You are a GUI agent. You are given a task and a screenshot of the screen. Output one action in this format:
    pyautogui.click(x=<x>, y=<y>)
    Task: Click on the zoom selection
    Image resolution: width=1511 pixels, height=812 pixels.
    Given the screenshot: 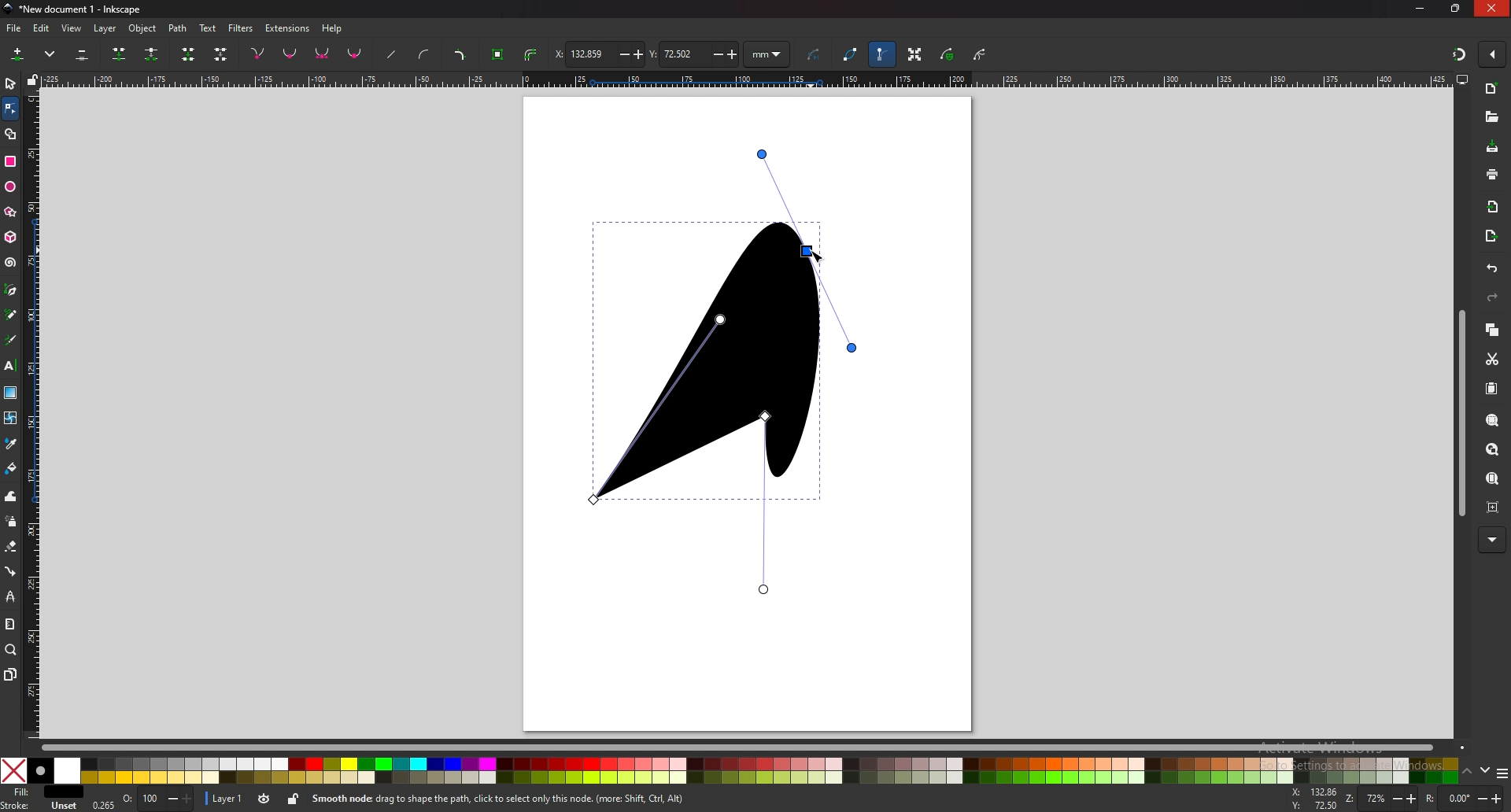 What is the action you would take?
    pyautogui.click(x=1493, y=420)
    